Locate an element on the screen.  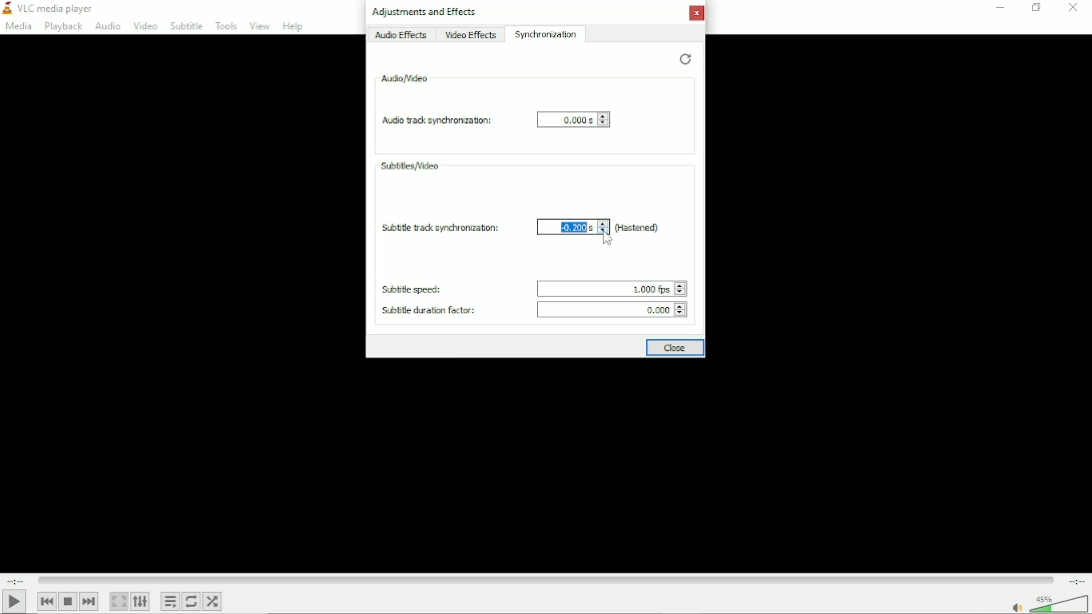
Toggle between loop all, loop one and no loop is located at coordinates (191, 601).